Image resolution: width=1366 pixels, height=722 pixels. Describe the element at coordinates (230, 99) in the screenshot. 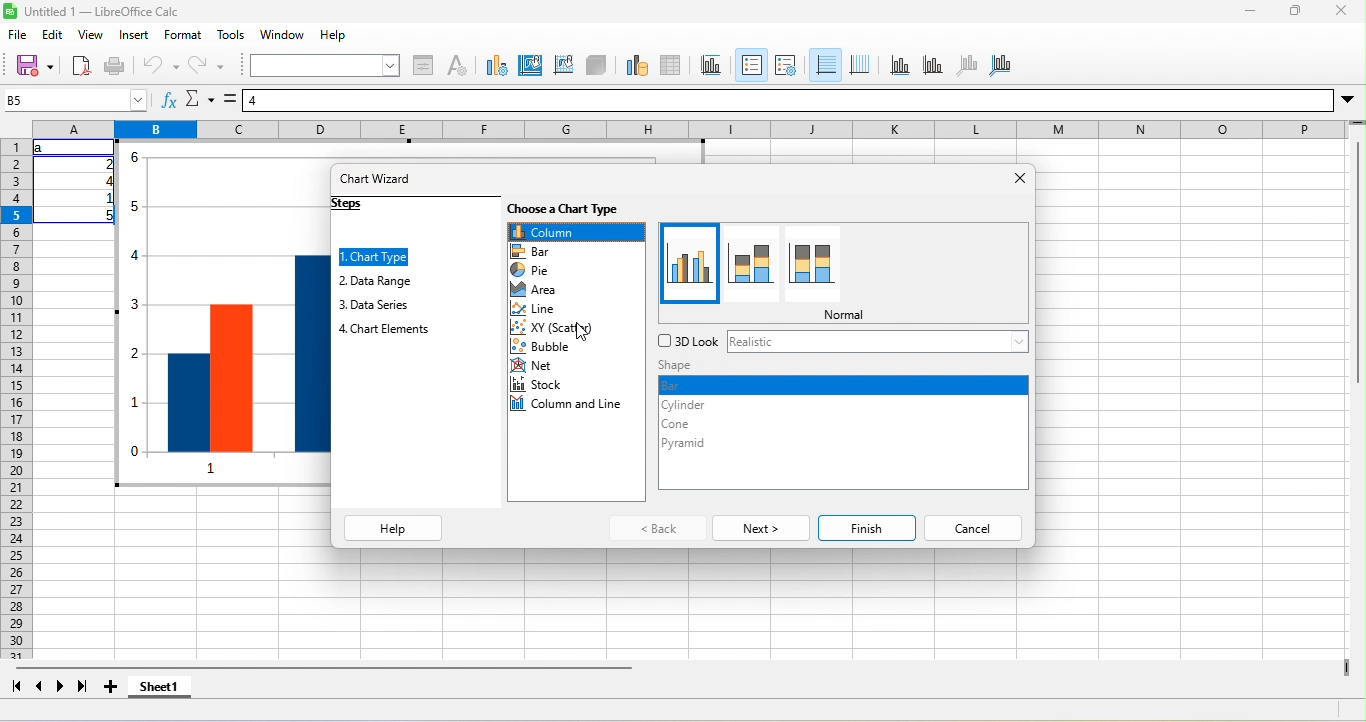

I see `formula` at that location.